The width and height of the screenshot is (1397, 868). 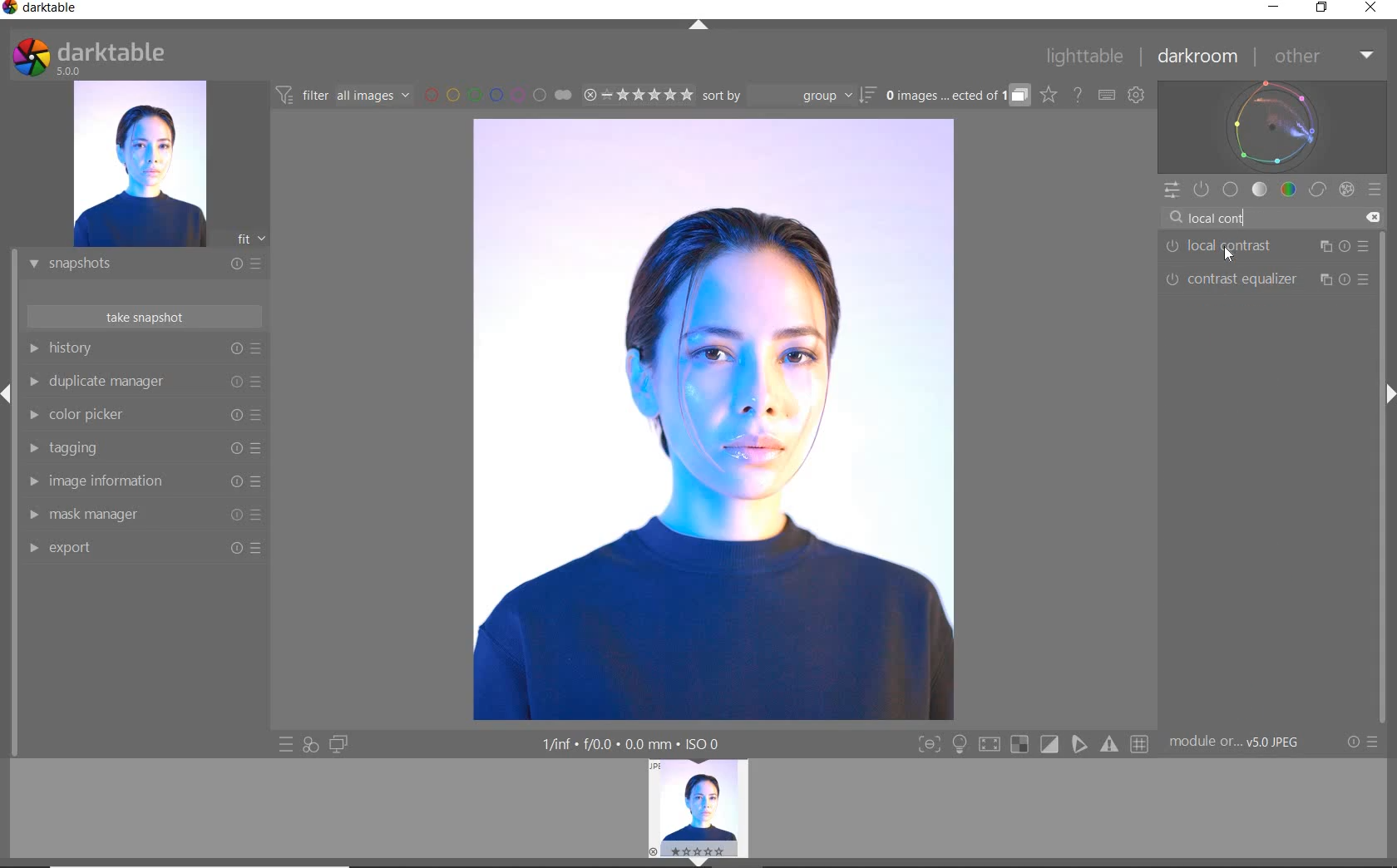 What do you see at coordinates (929, 746) in the screenshot?
I see `Button` at bounding box center [929, 746].